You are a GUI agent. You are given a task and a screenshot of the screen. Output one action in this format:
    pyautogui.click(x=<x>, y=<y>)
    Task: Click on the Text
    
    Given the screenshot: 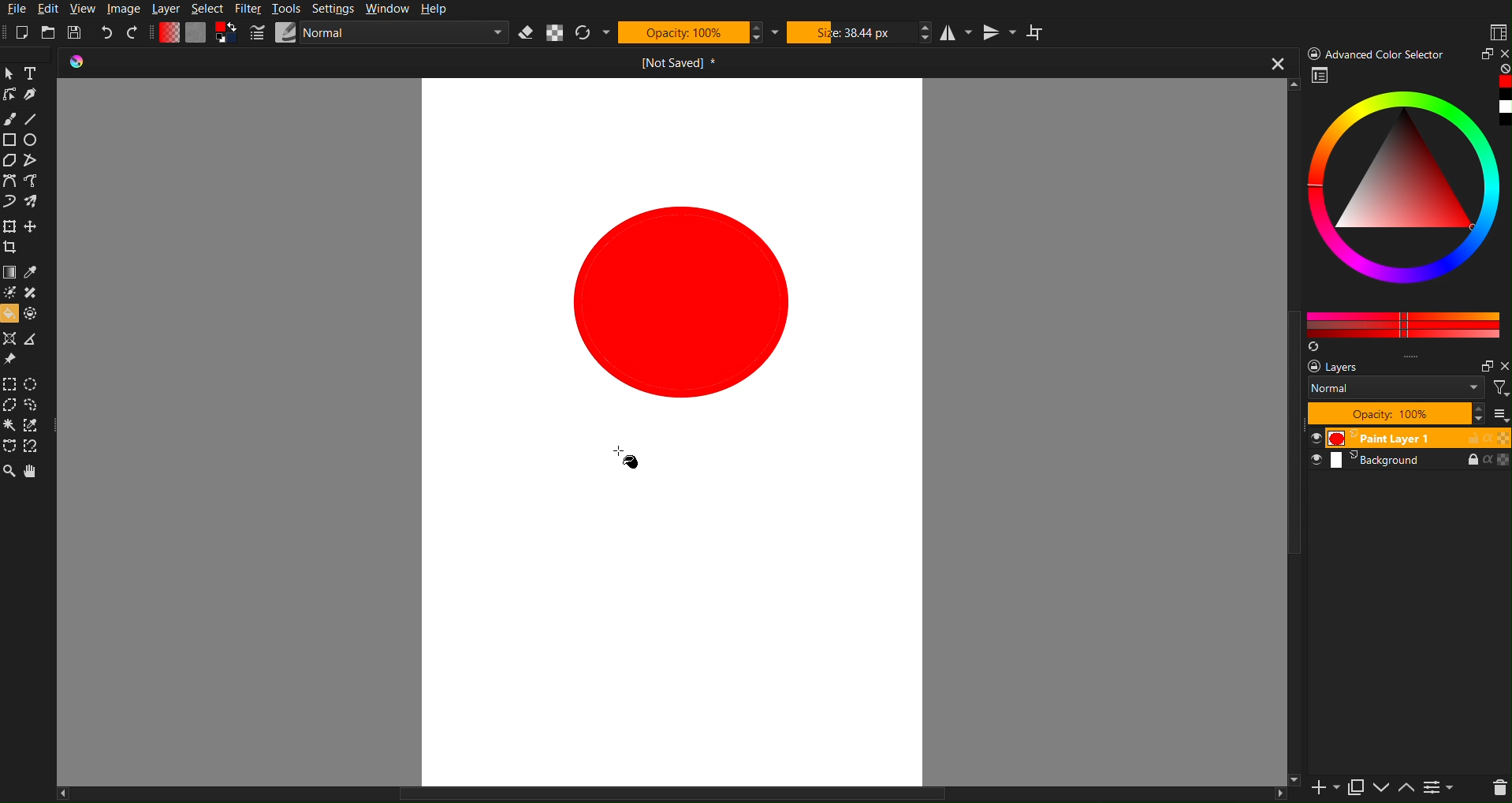 What is the action you would take?
    pyautogui.click(x=36, y=73)
    